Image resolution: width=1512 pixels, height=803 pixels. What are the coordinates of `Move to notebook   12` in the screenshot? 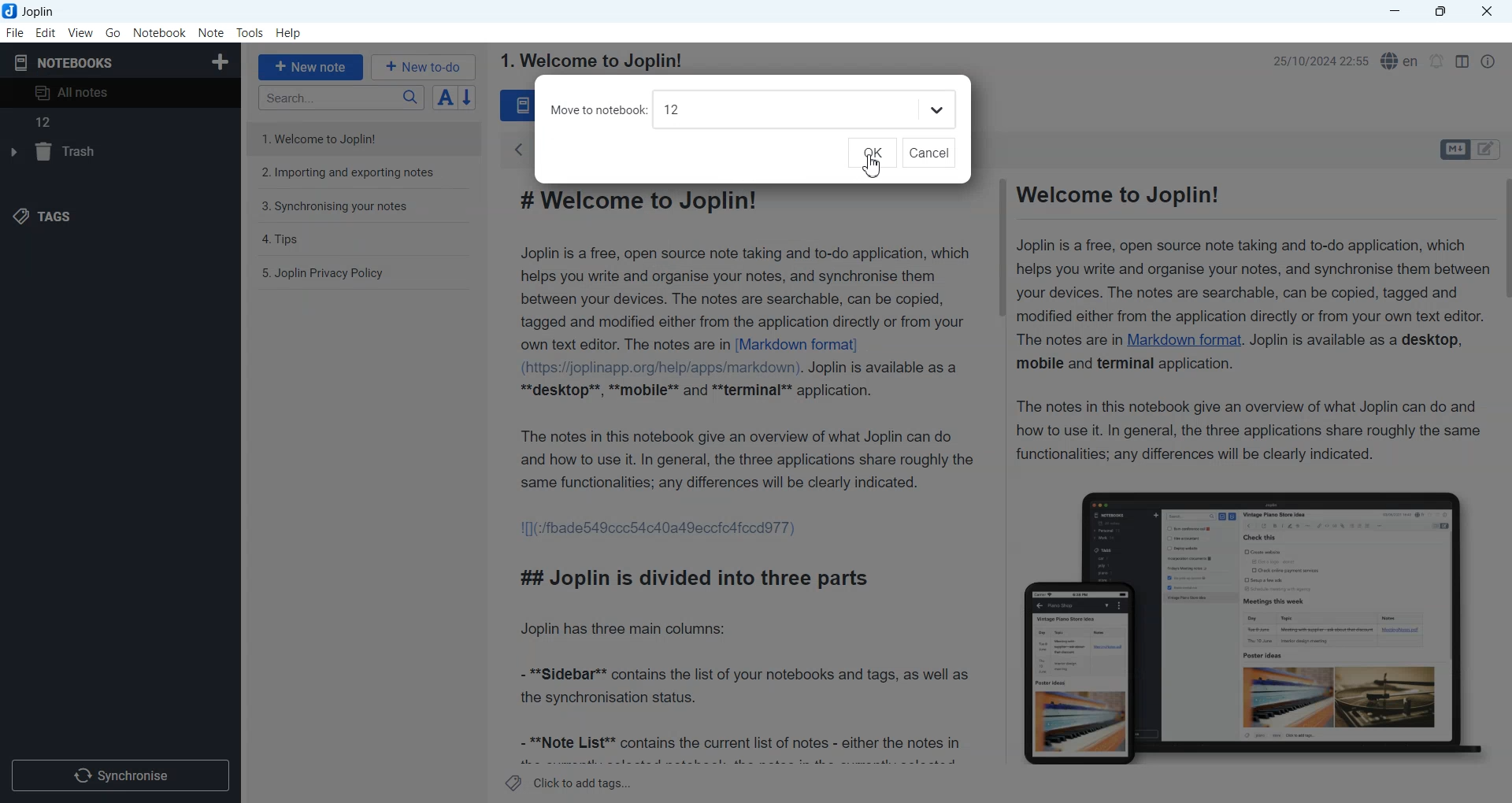 It's located at (727, 110).